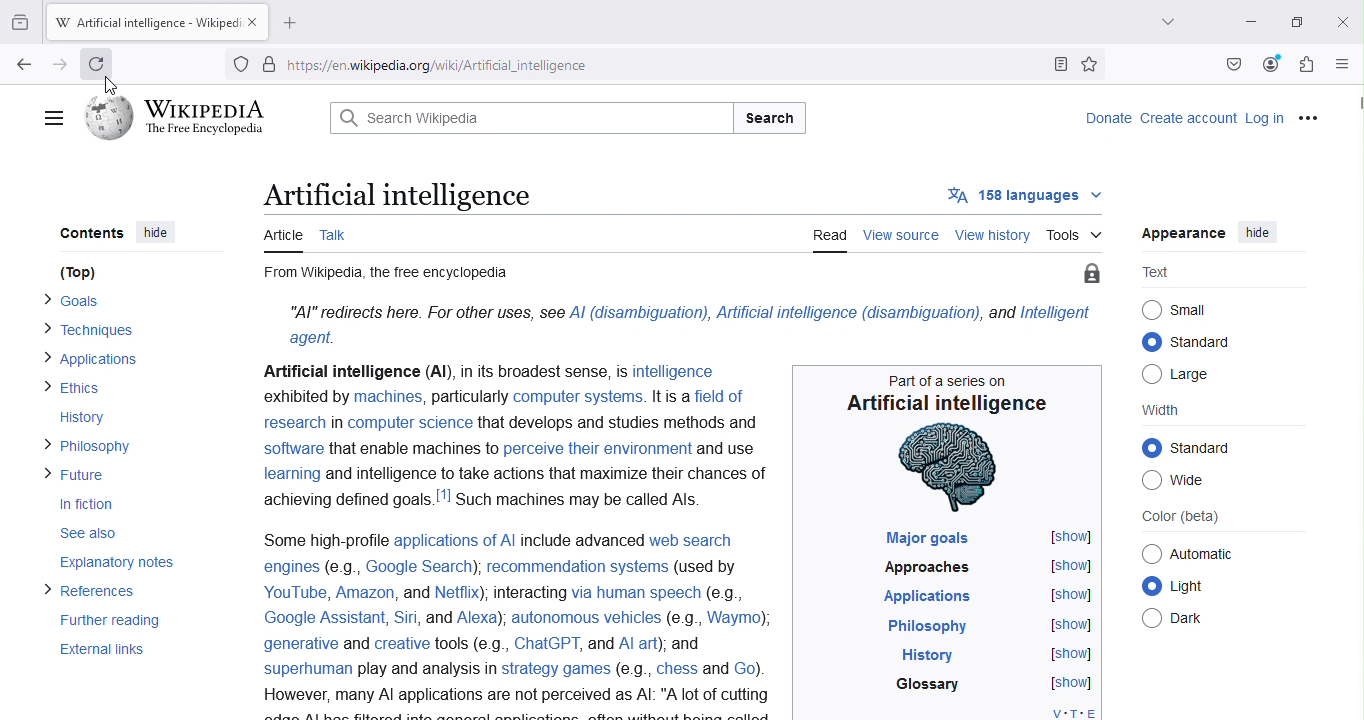  I want to click on achieving defined goals.!"! Such machines may be called Als., so click(484, 502).